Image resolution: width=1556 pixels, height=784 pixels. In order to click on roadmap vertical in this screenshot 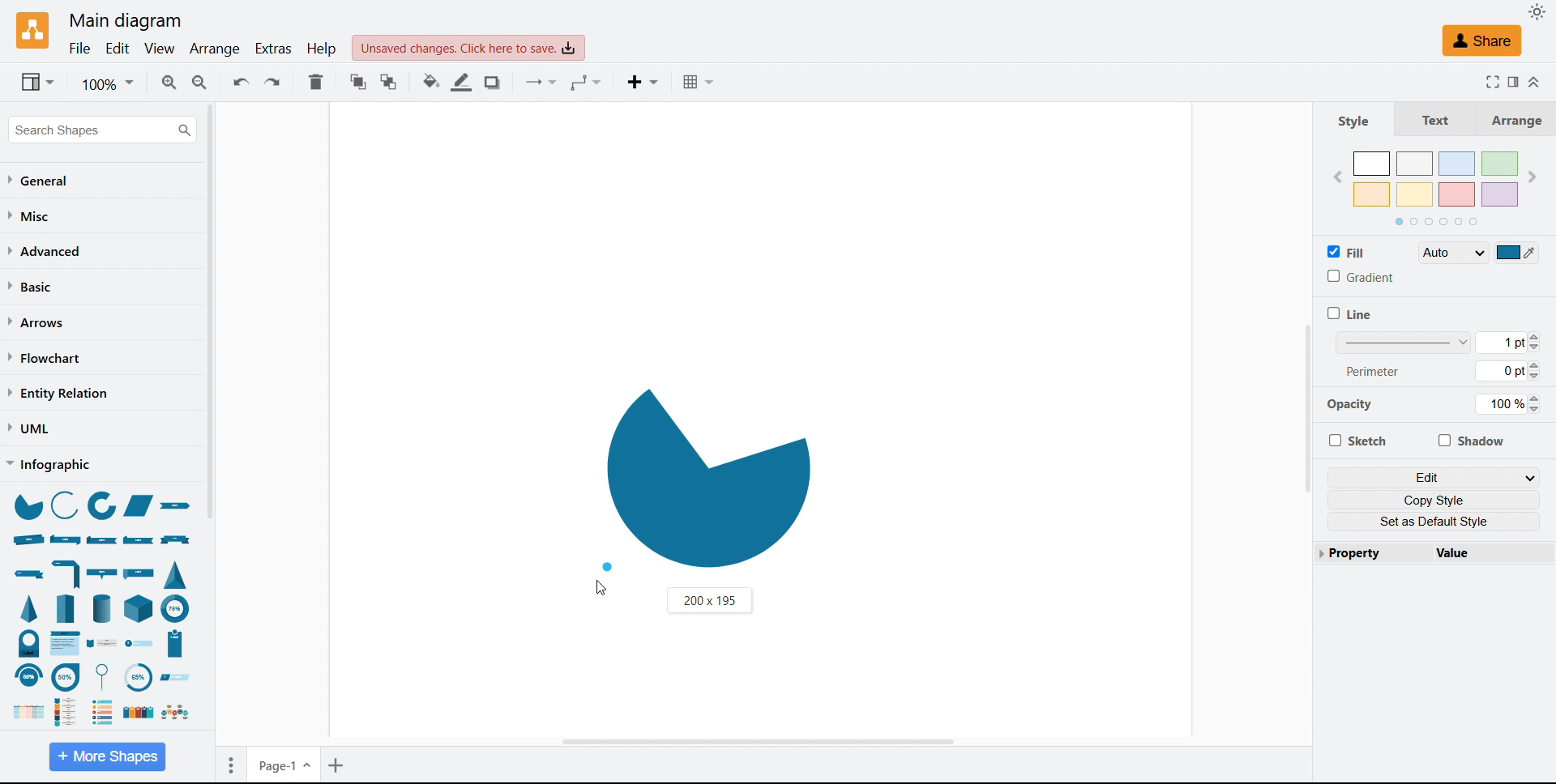, I will do `click(71, 710)`.